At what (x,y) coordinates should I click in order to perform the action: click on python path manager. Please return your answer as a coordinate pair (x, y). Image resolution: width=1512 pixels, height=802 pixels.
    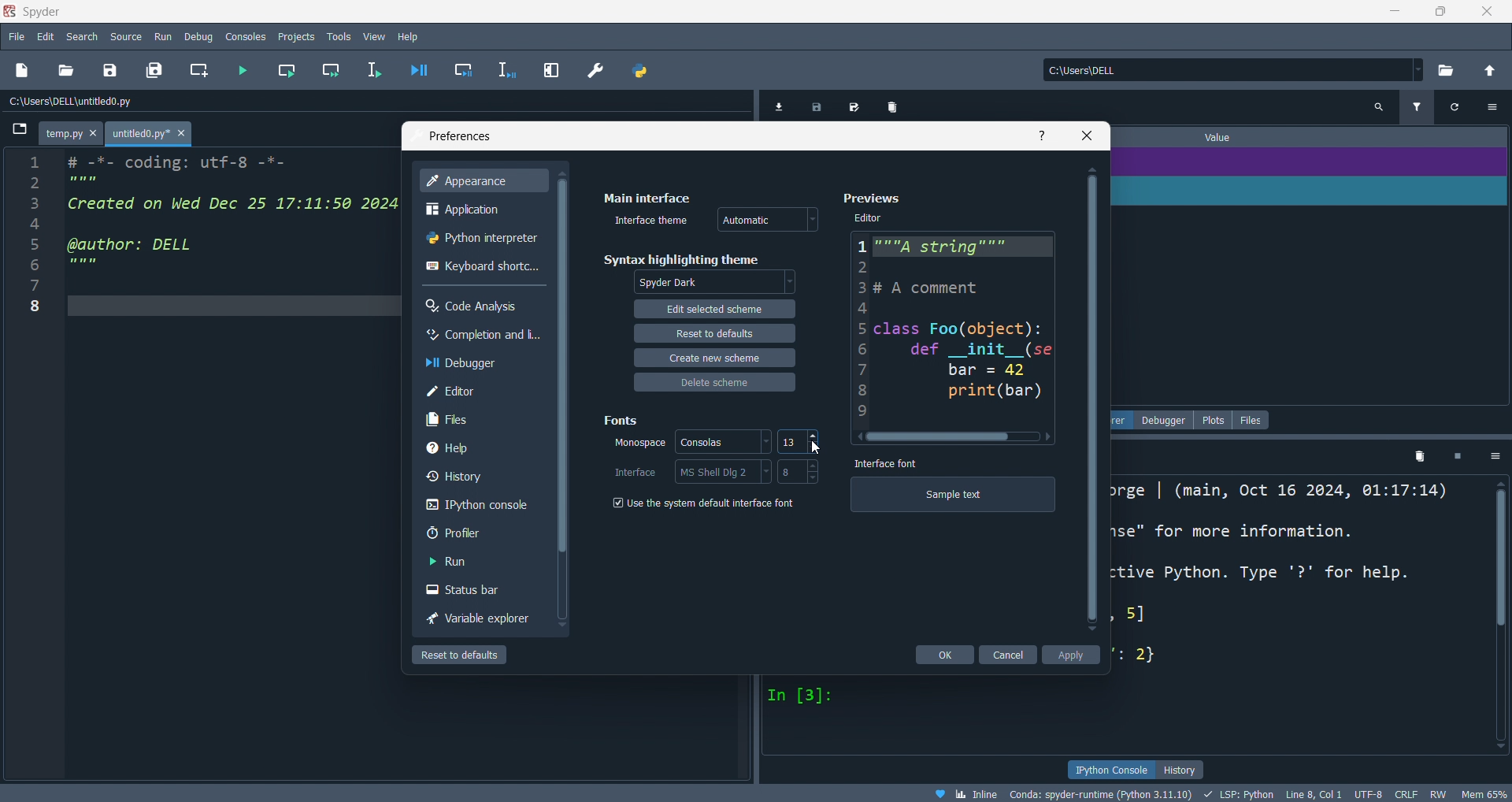
    Looking at the image, I should click on (642, 72).